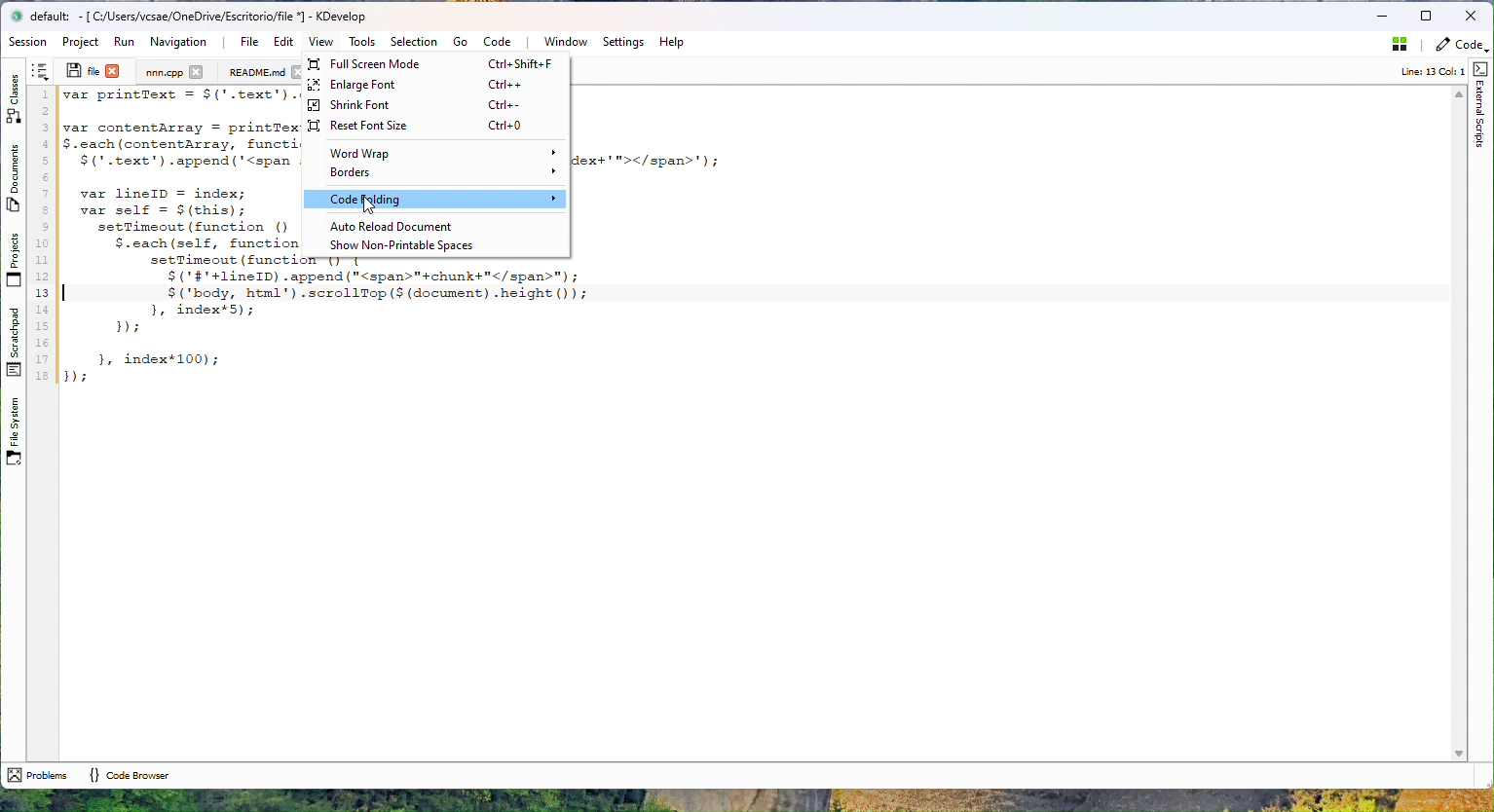  I want to click on Shrink Font, so click(428, 105).